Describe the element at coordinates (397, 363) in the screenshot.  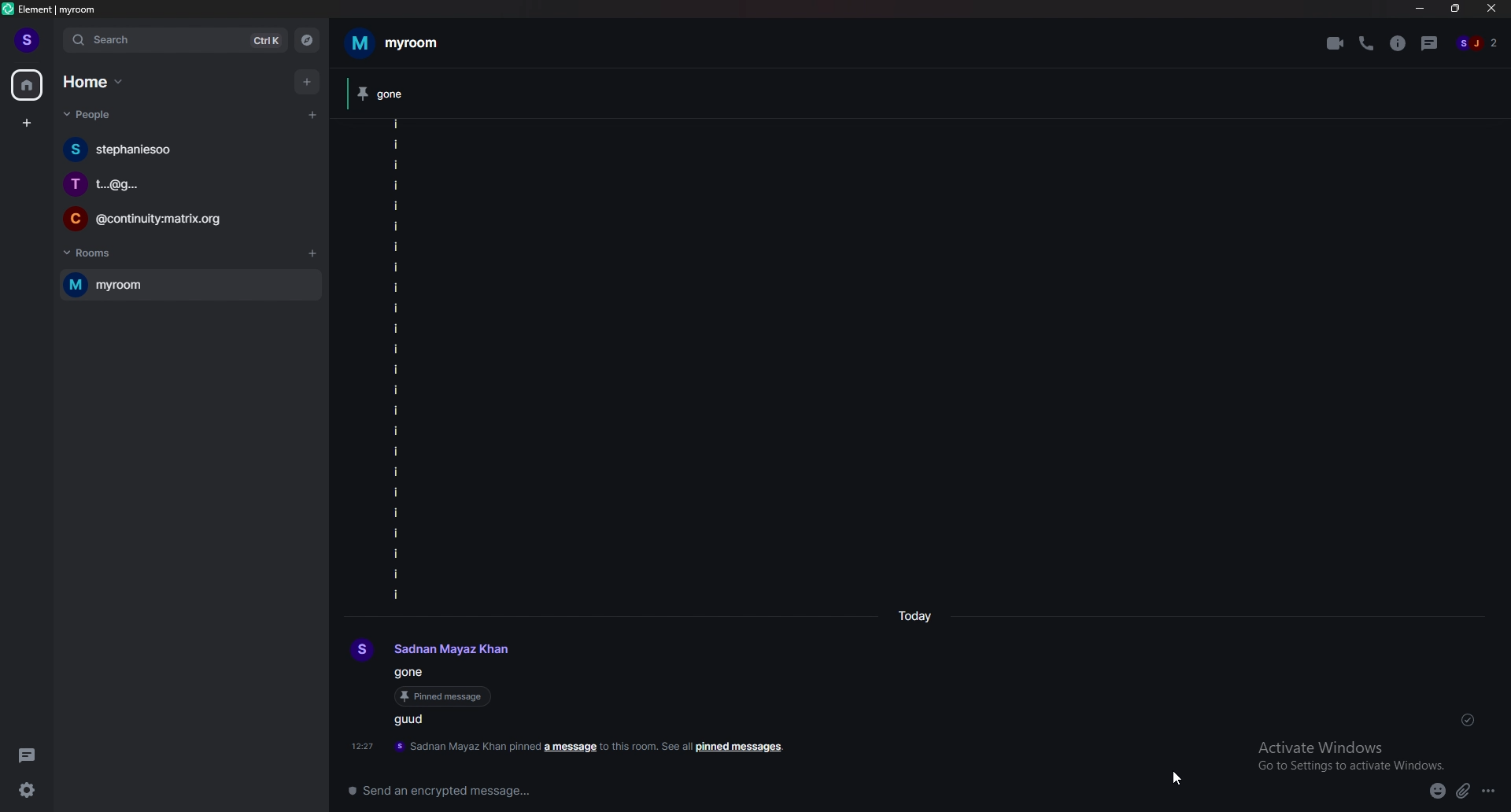
I see `texts` at that location.